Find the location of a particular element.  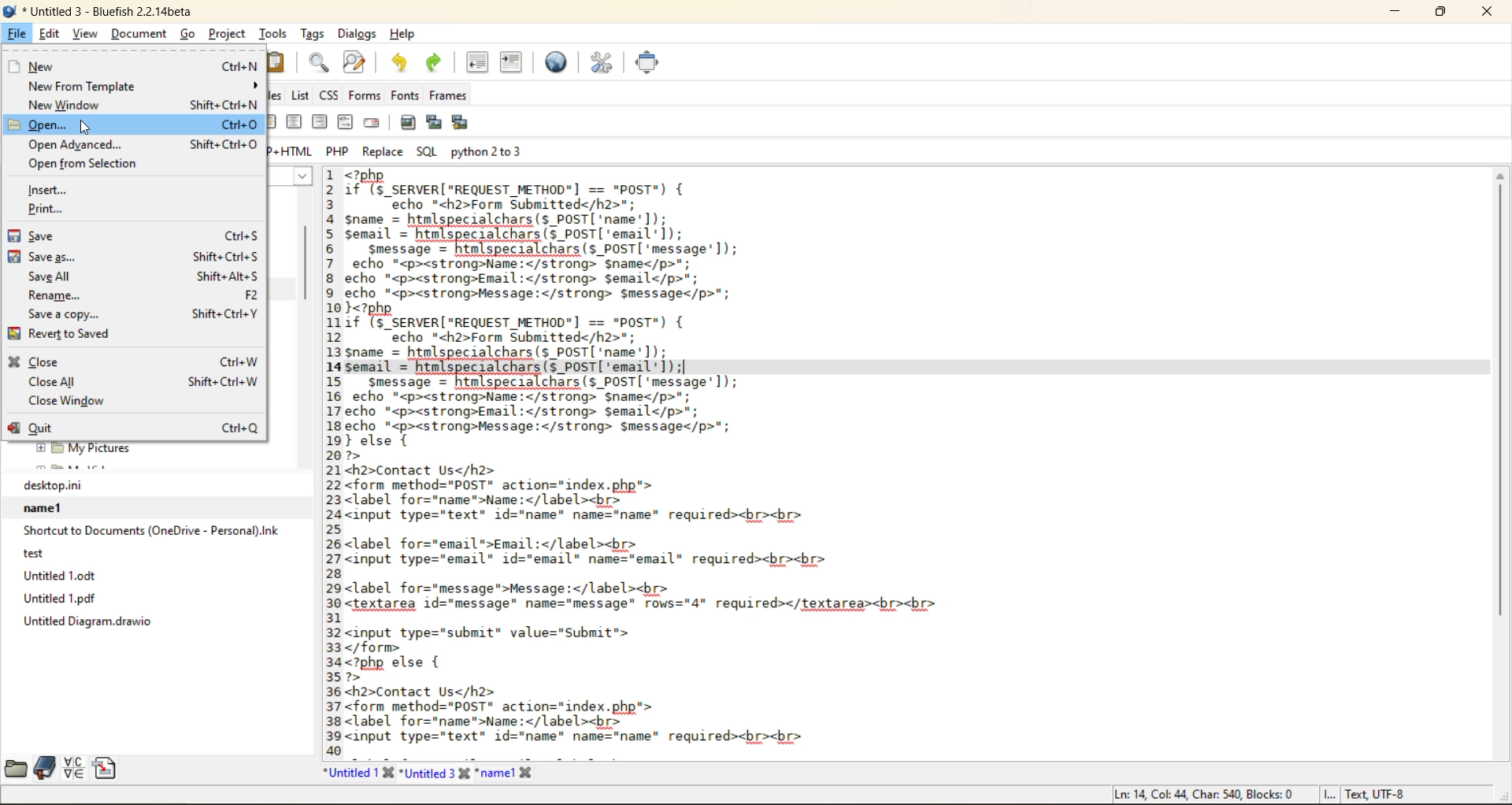

php is located at coordinates (340, 151).